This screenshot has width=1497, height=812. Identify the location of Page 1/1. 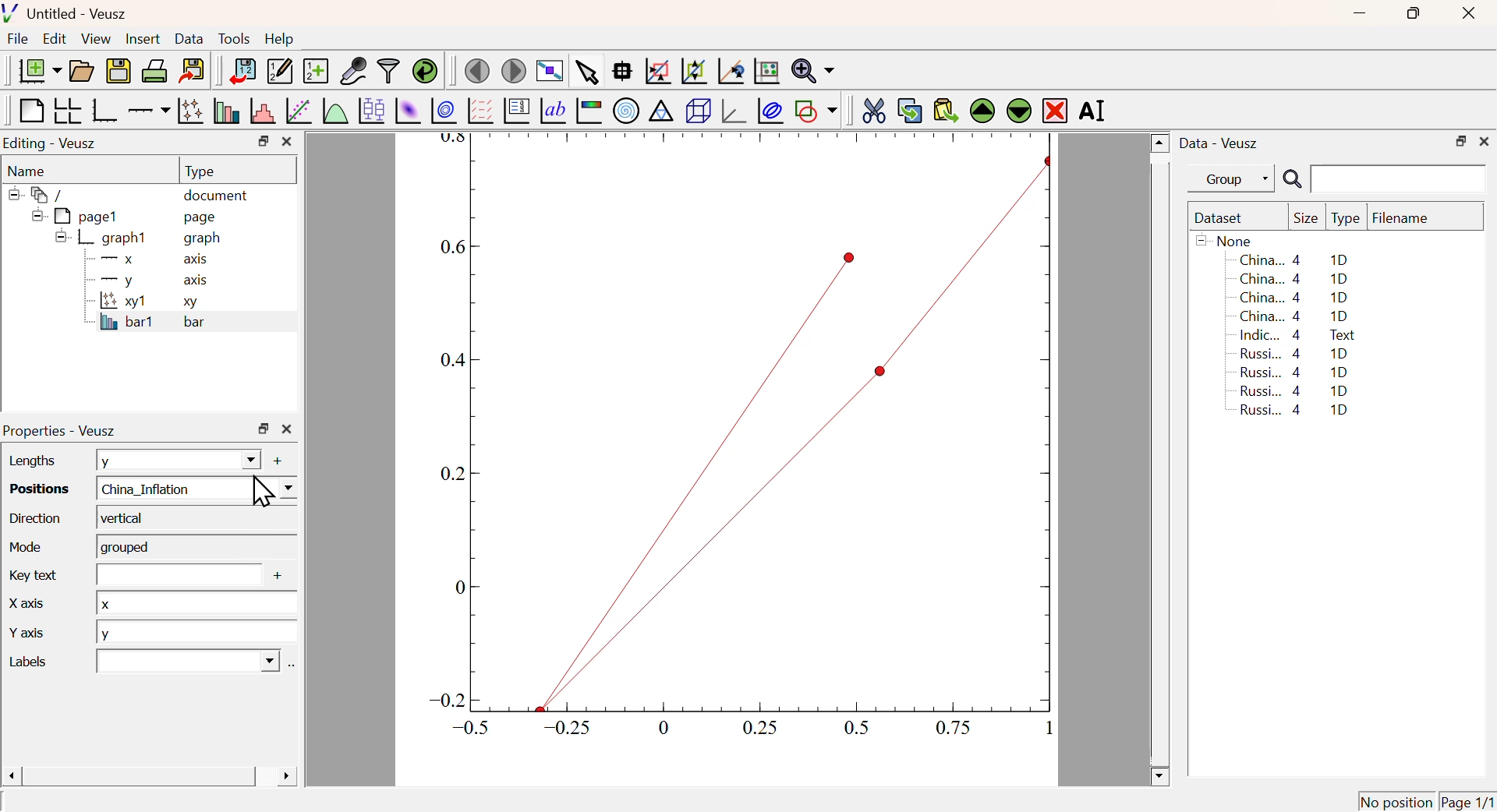
(1466, 801).